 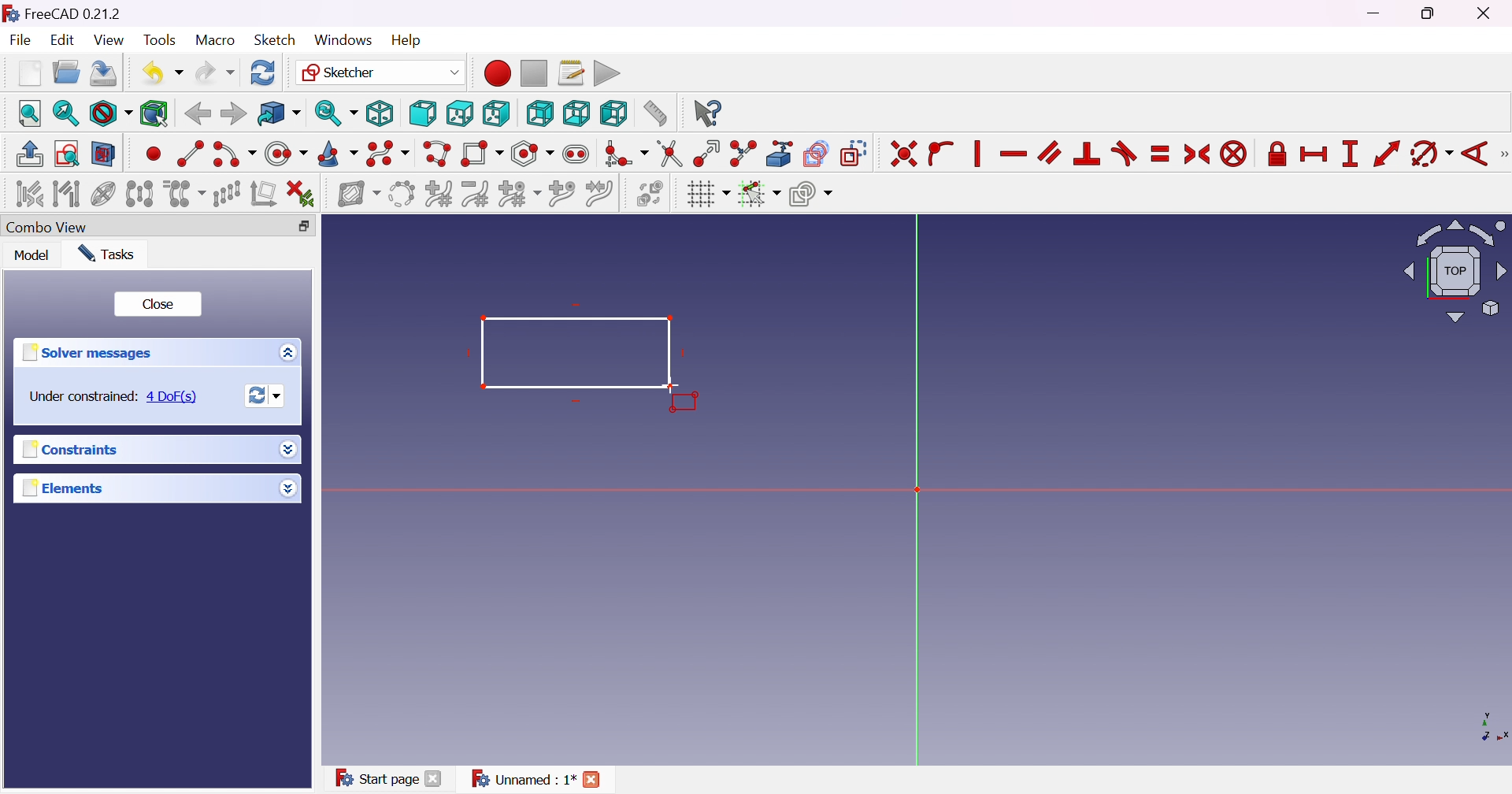 What do you see at coordinates (1430, 15) in the screenshot?
I see `Restore Down` at bounding box center [1430, 15].